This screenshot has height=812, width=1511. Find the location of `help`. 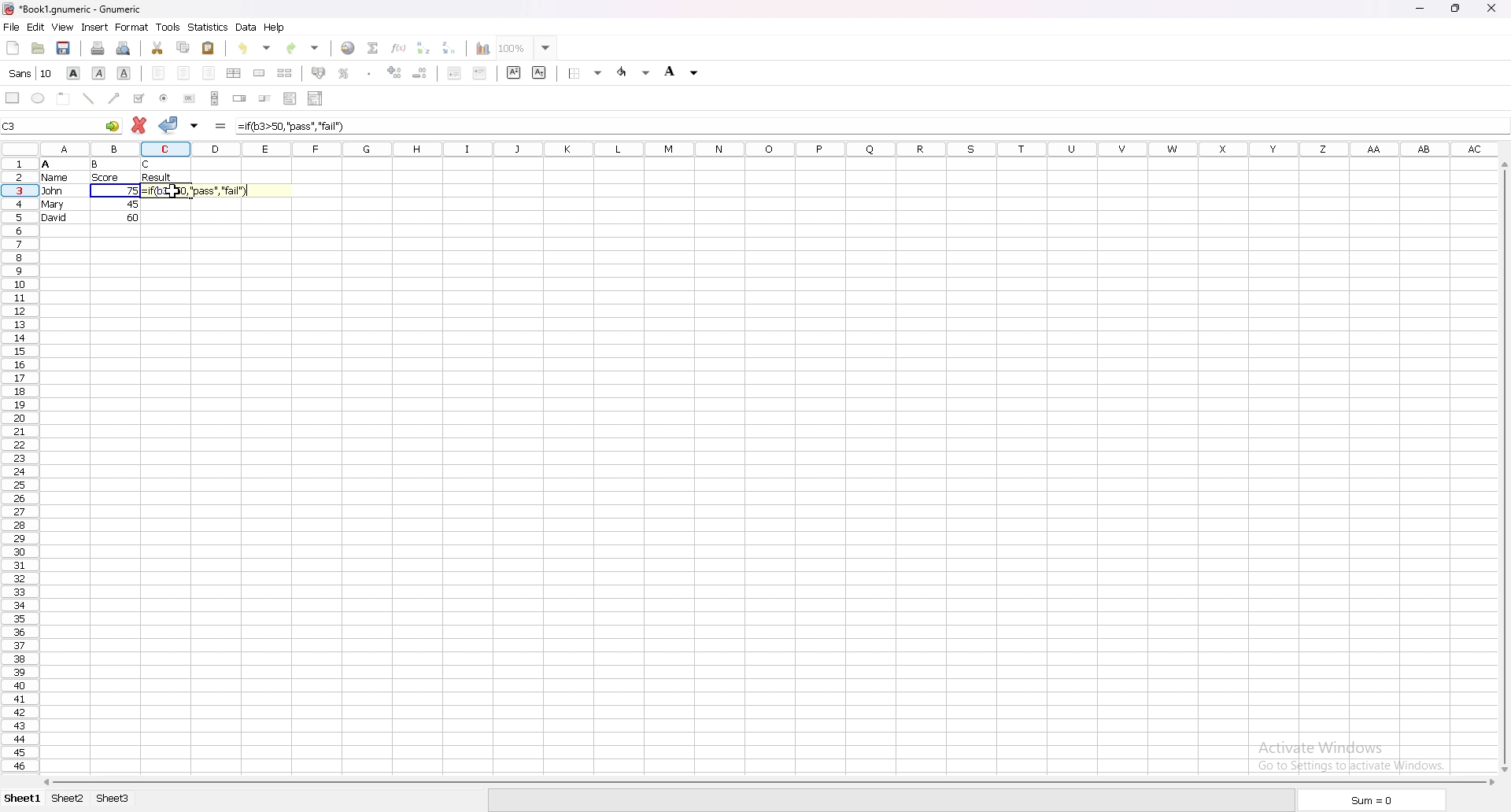

help is located at coordinates (275, 27).